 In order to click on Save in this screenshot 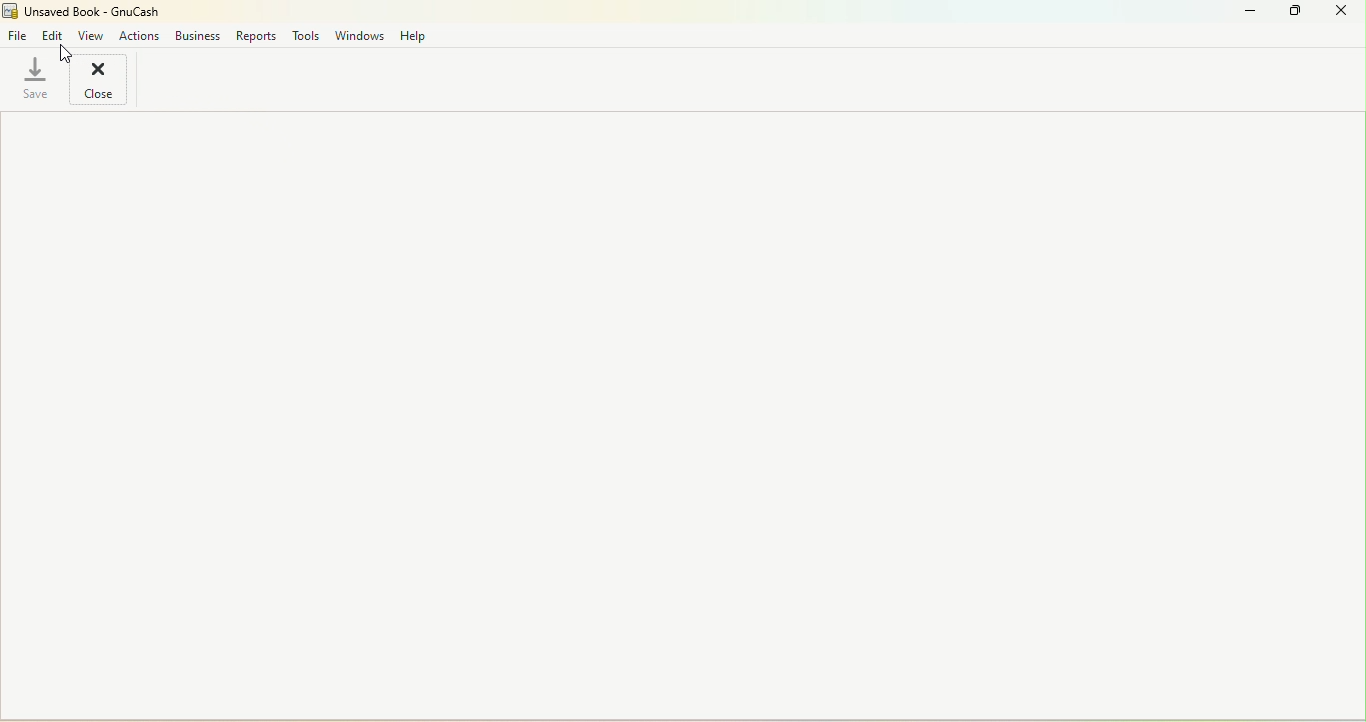, I will do `click(34, 80)`.